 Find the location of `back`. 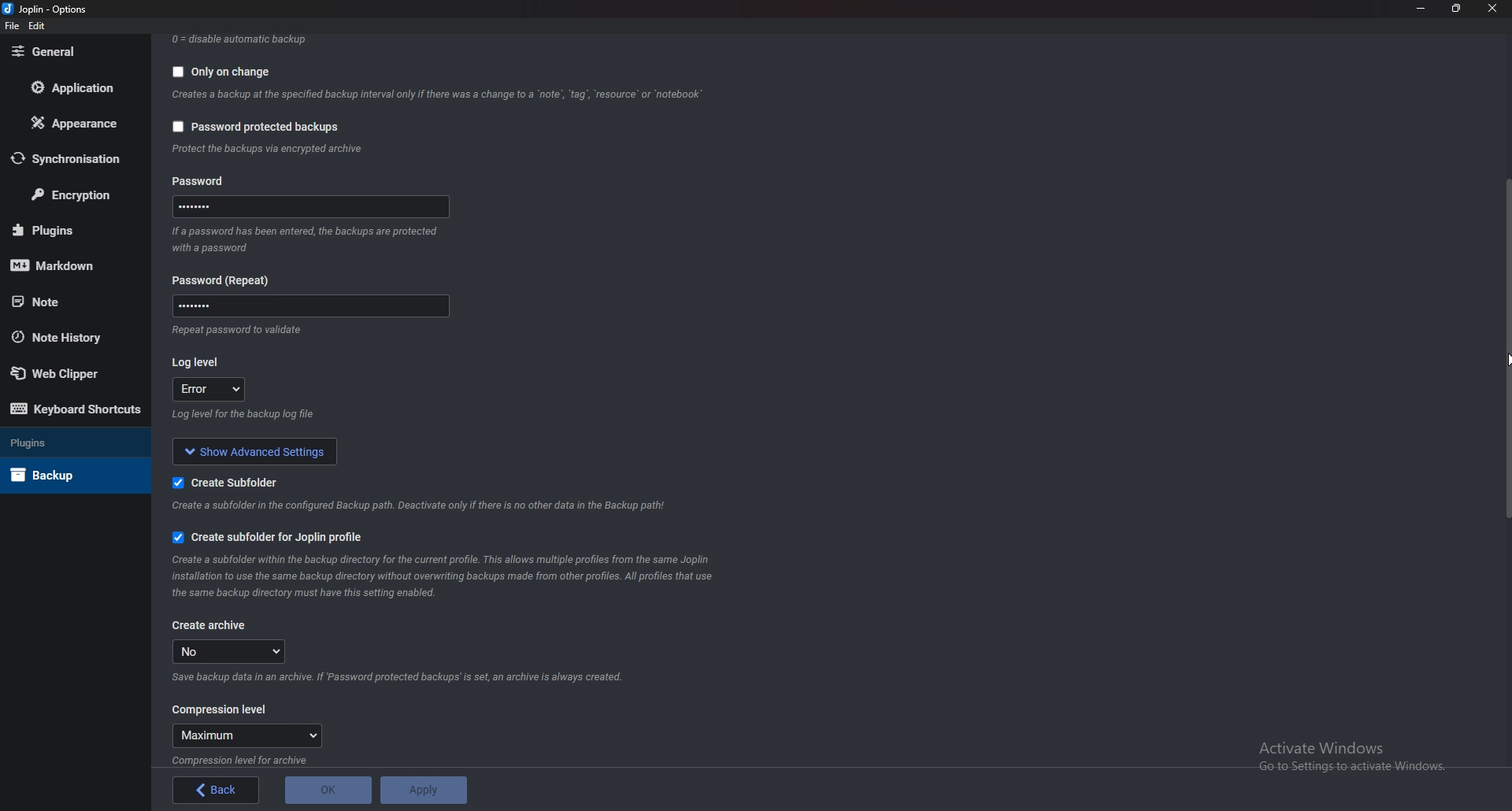

back is located at coordinates (216, 791).